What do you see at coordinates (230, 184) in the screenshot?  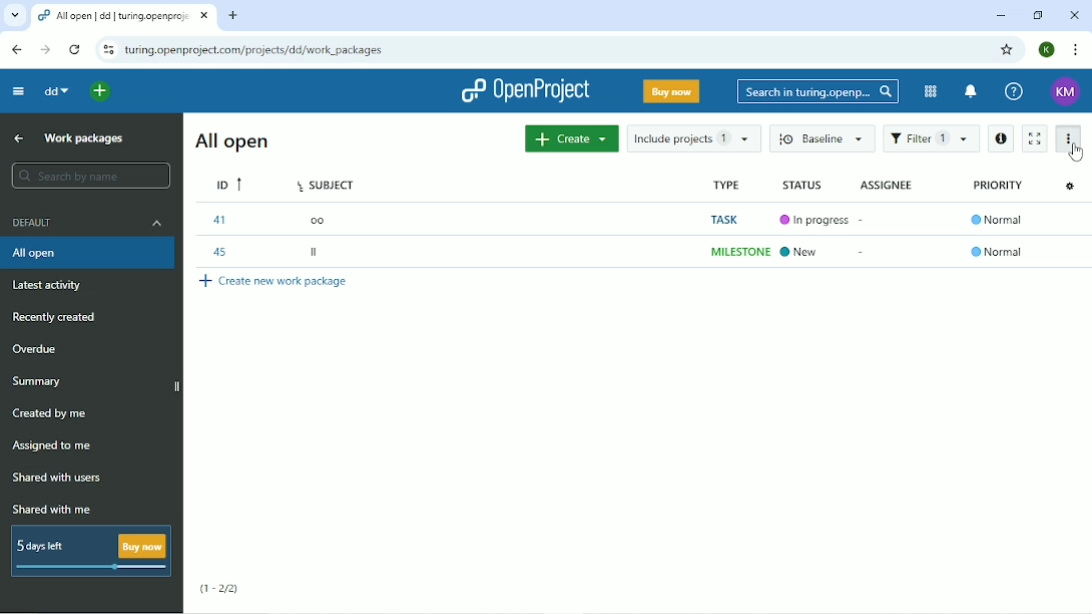 I see `ID` at bounding box center [230, 184].